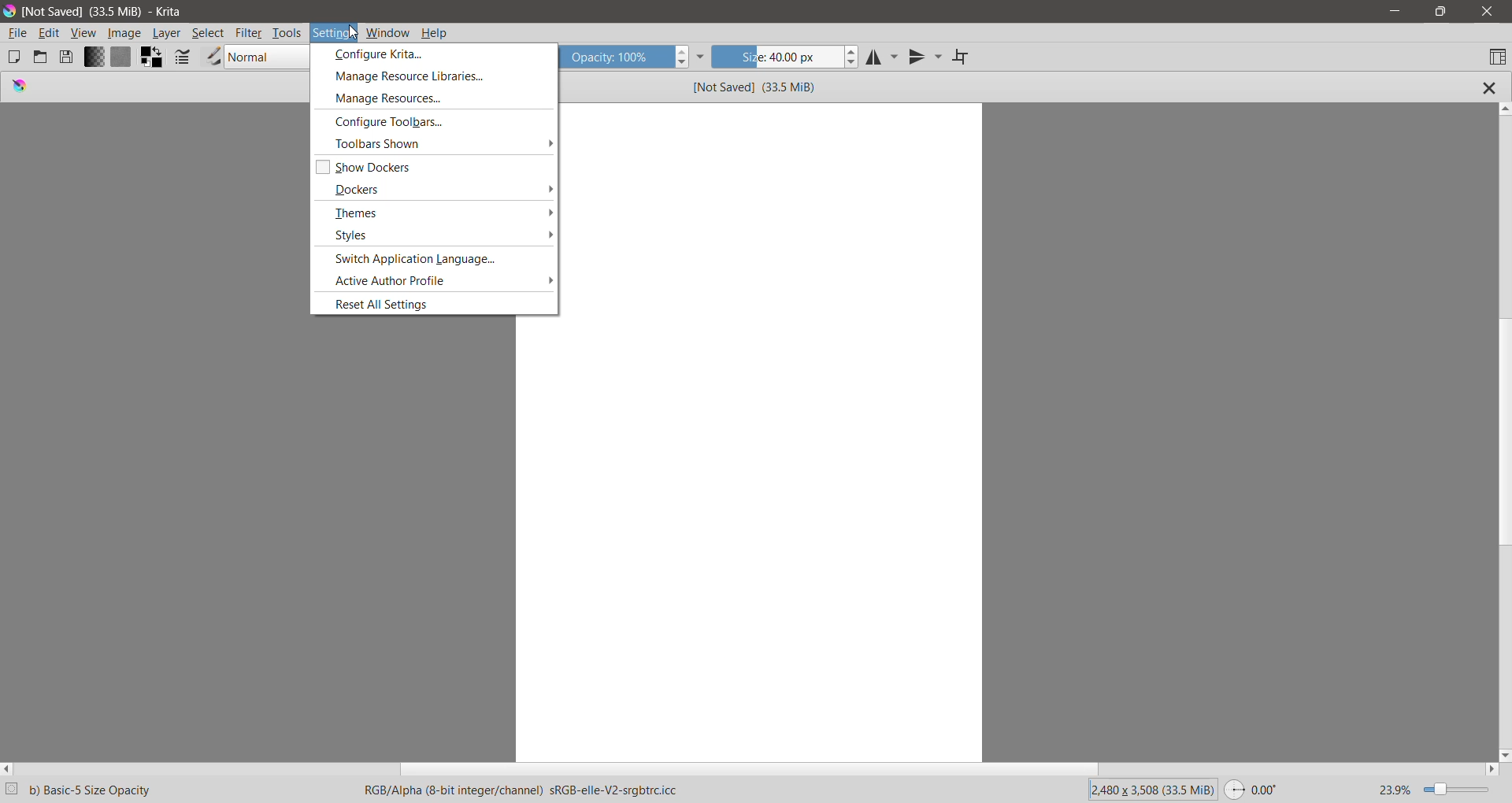 The height and width of the screenshot is (803, 1512). Describe the element at coordinates (335, 34) in the screenshot. I see `Settings` at that location.